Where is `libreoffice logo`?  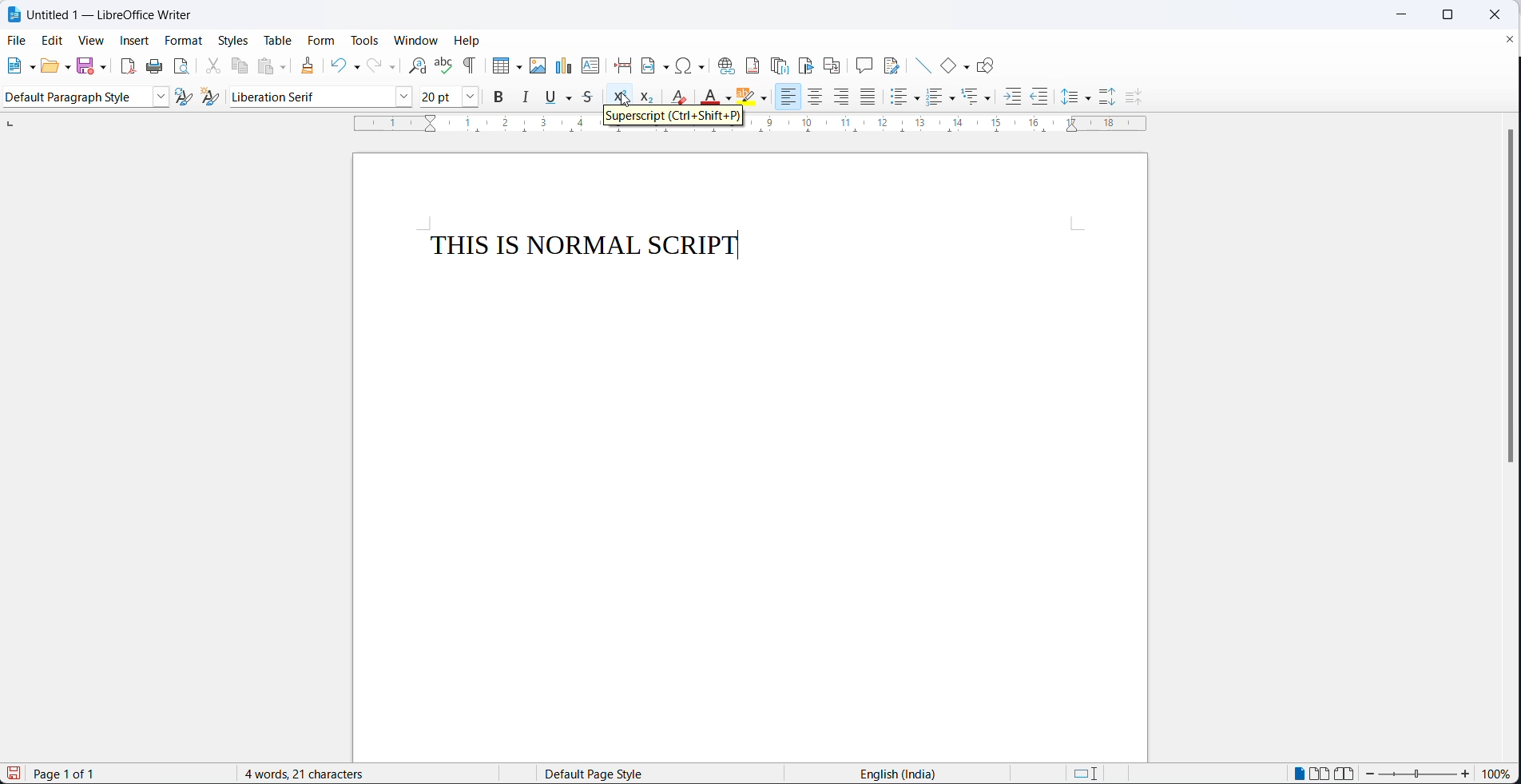
libreoffice logo is located at coordinates (14, 16).